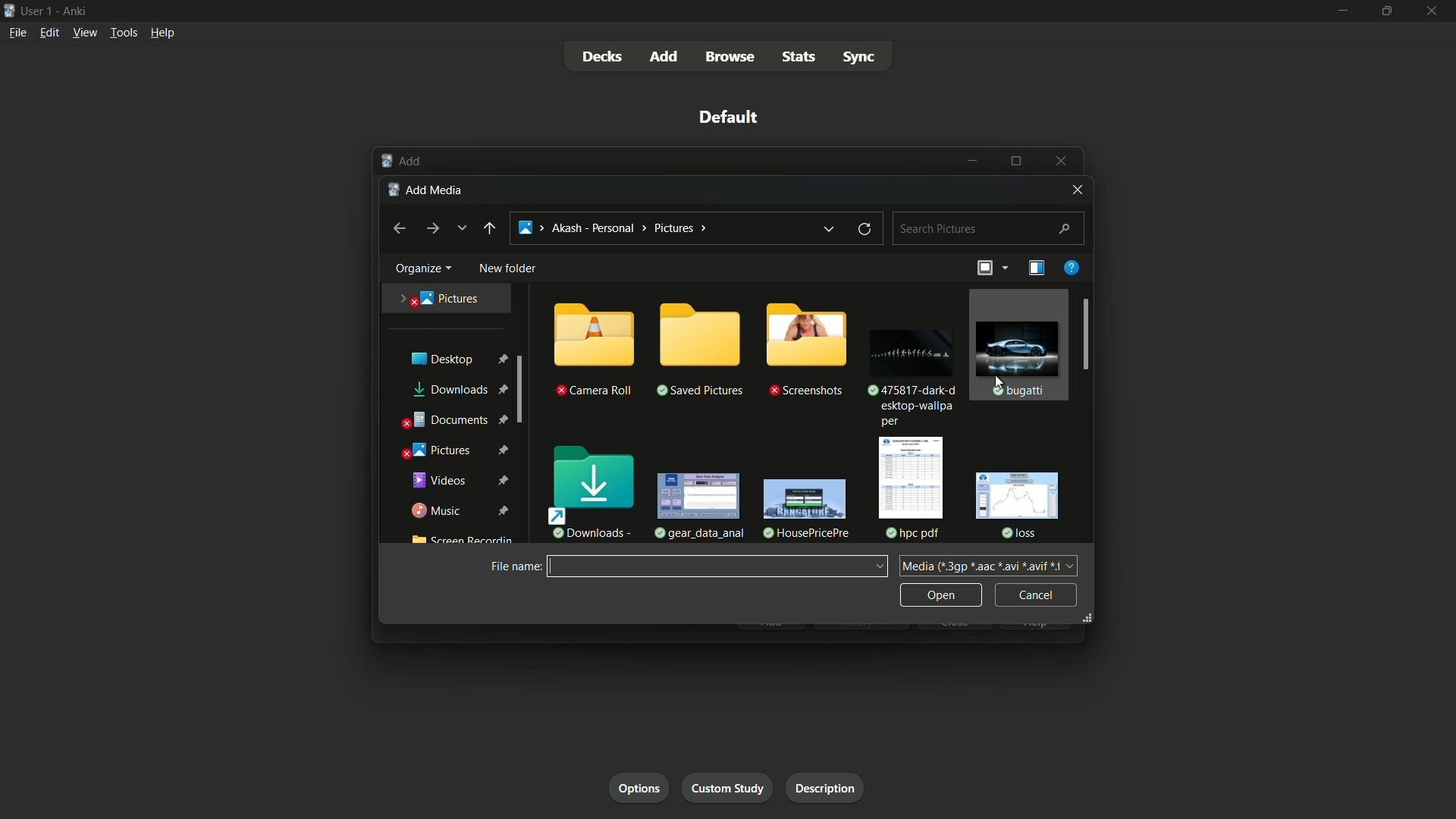 The height and width of the screenshot is (819, 1456). Describe the element at coordinates (1387, 11) in the screenshot. I see `maximize` at that location.